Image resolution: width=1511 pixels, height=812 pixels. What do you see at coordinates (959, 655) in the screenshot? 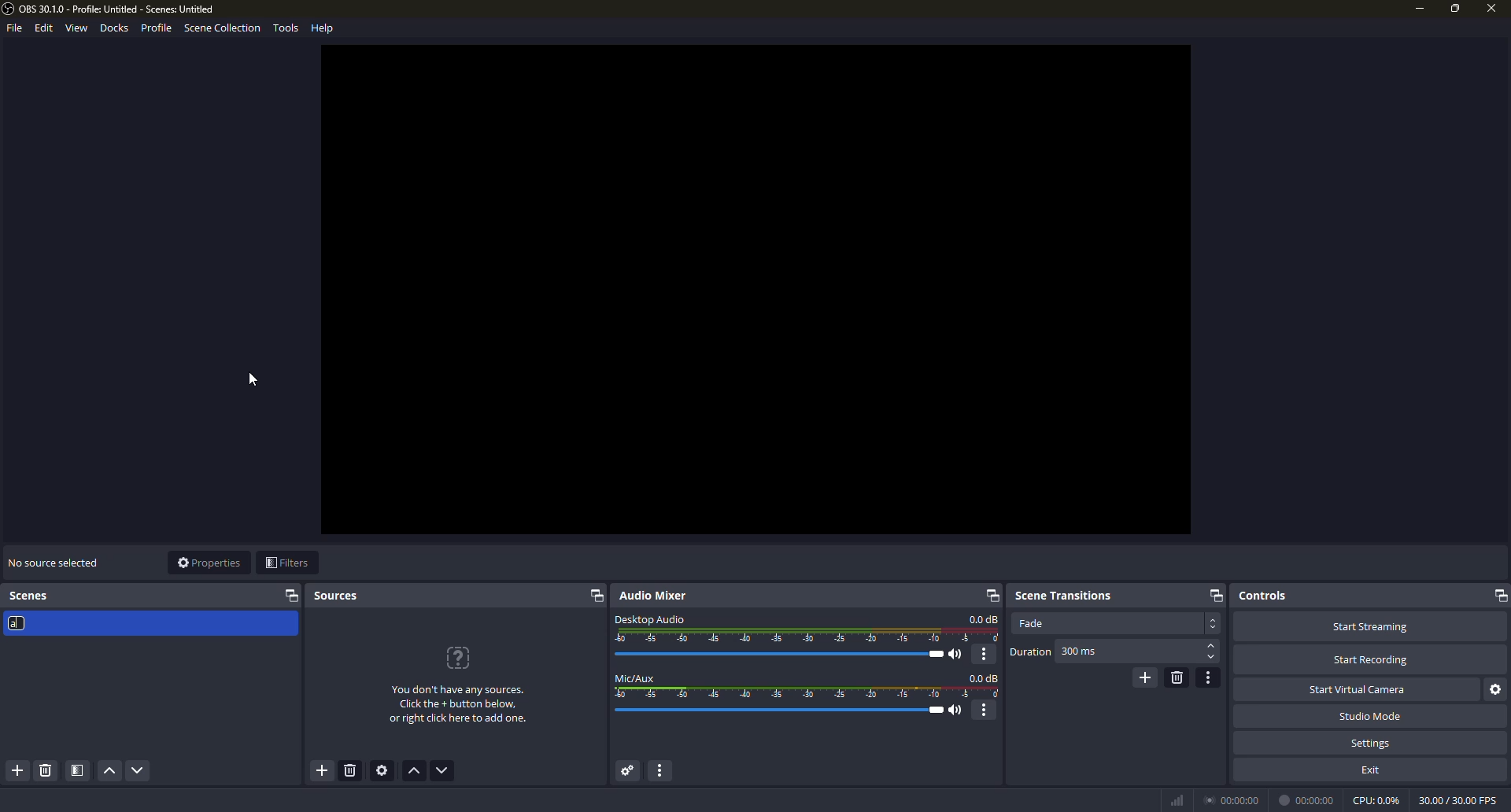
I see `mute` at bounding box center [959, 655].